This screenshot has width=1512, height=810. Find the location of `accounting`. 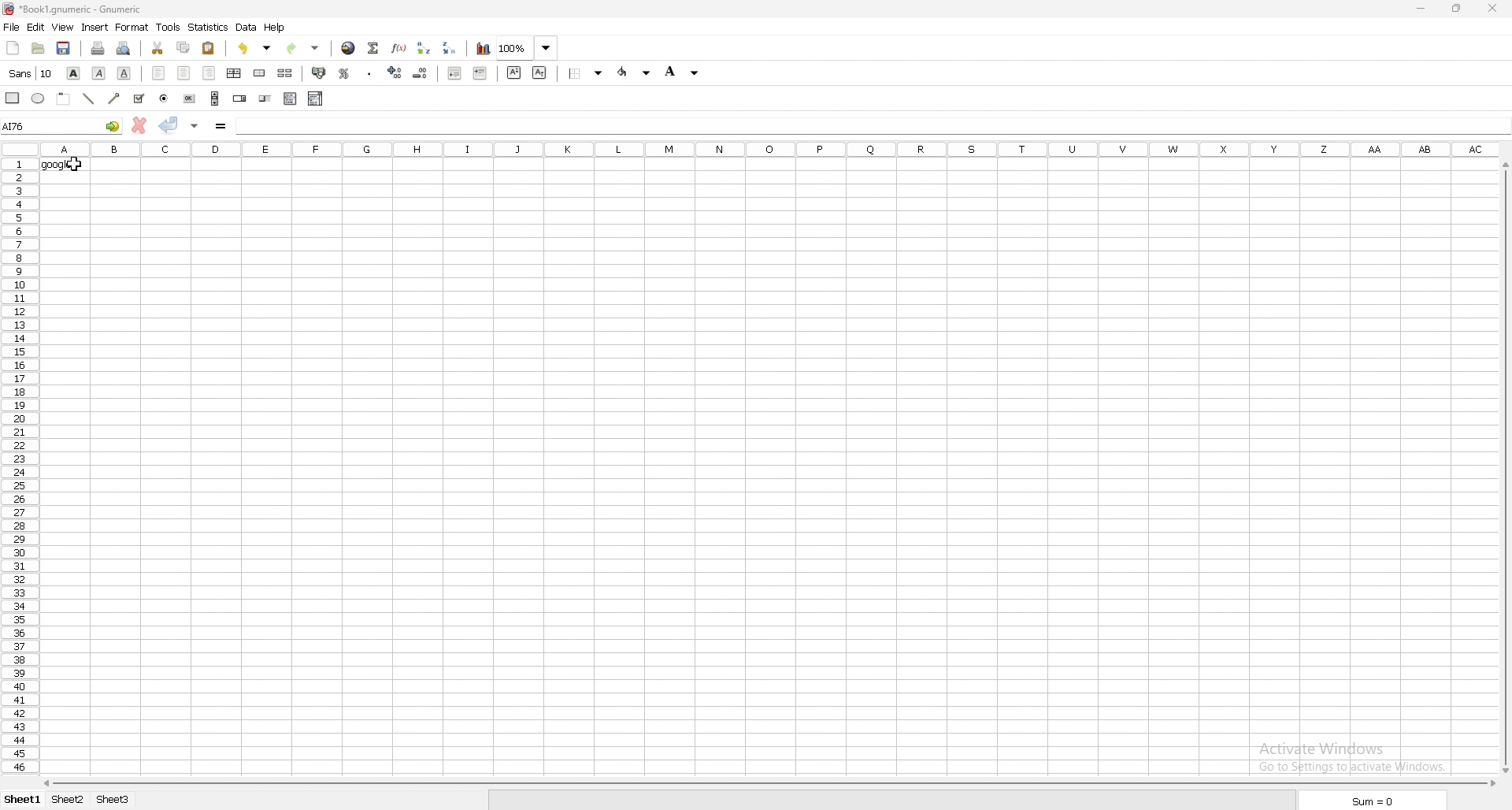

accounting is located at coordinates (320, 72).